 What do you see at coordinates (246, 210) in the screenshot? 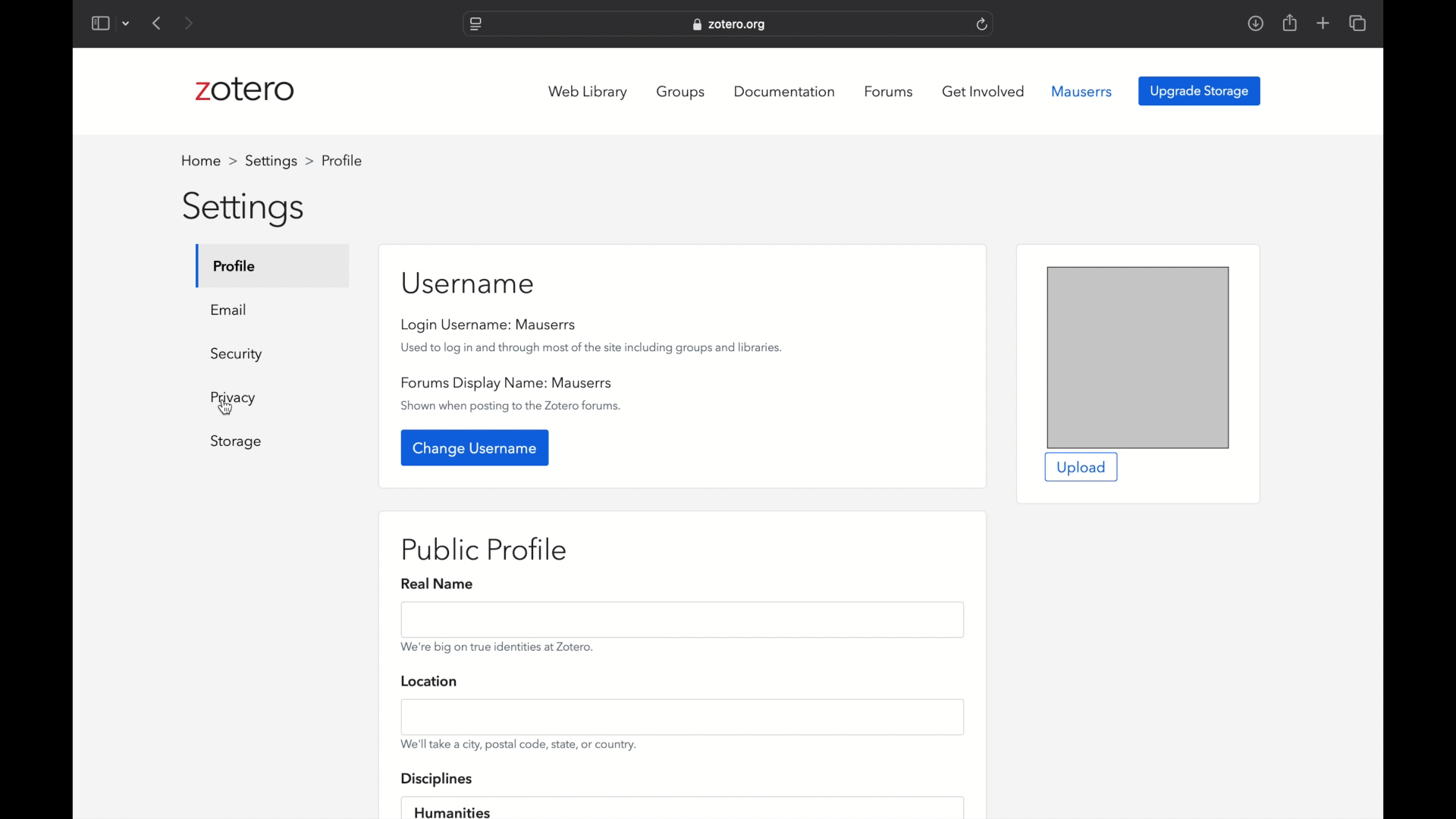
I see `settings` at bounding box center [246, 210].